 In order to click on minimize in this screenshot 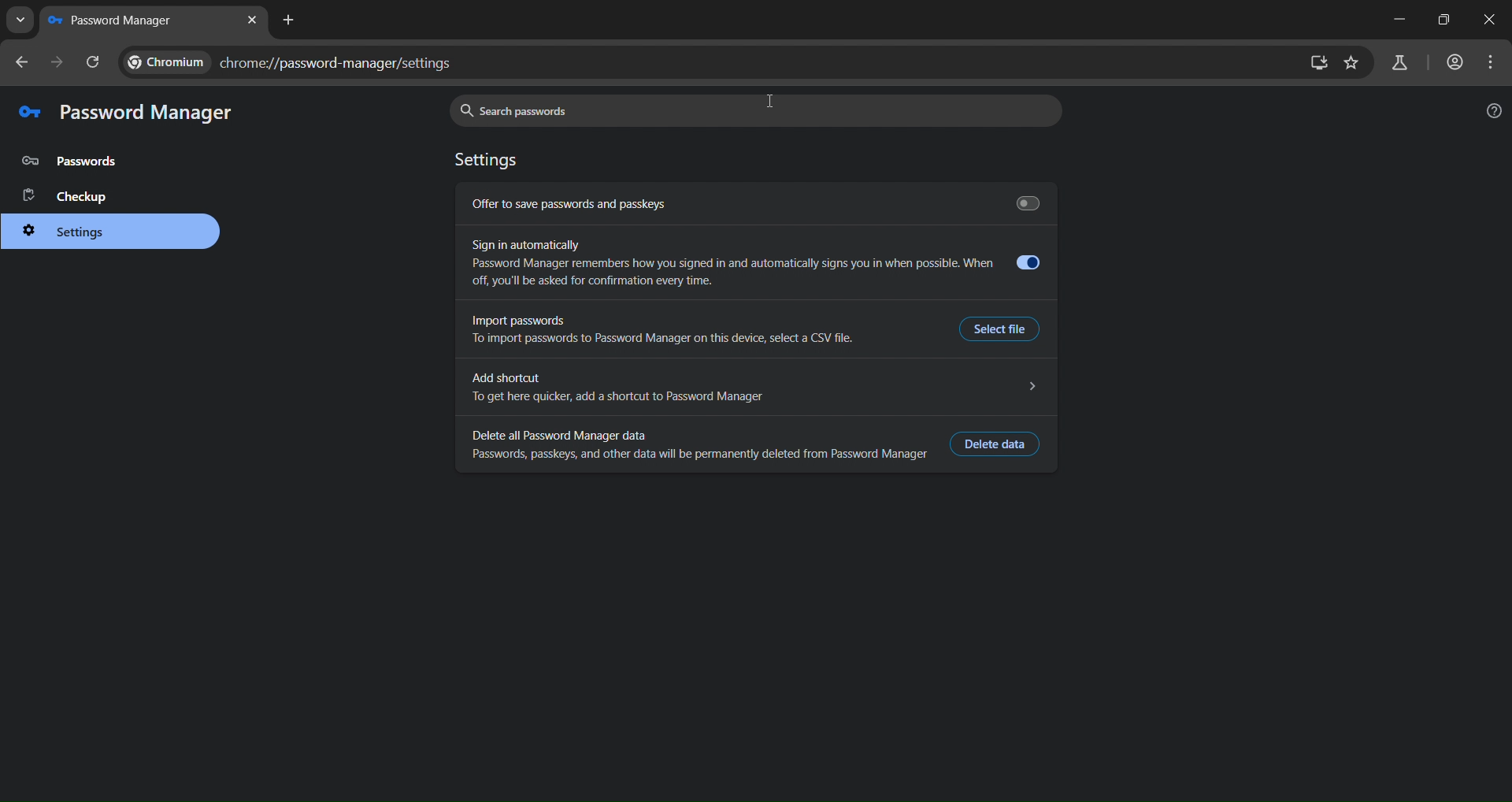, I will do `click(1397, 20)`.